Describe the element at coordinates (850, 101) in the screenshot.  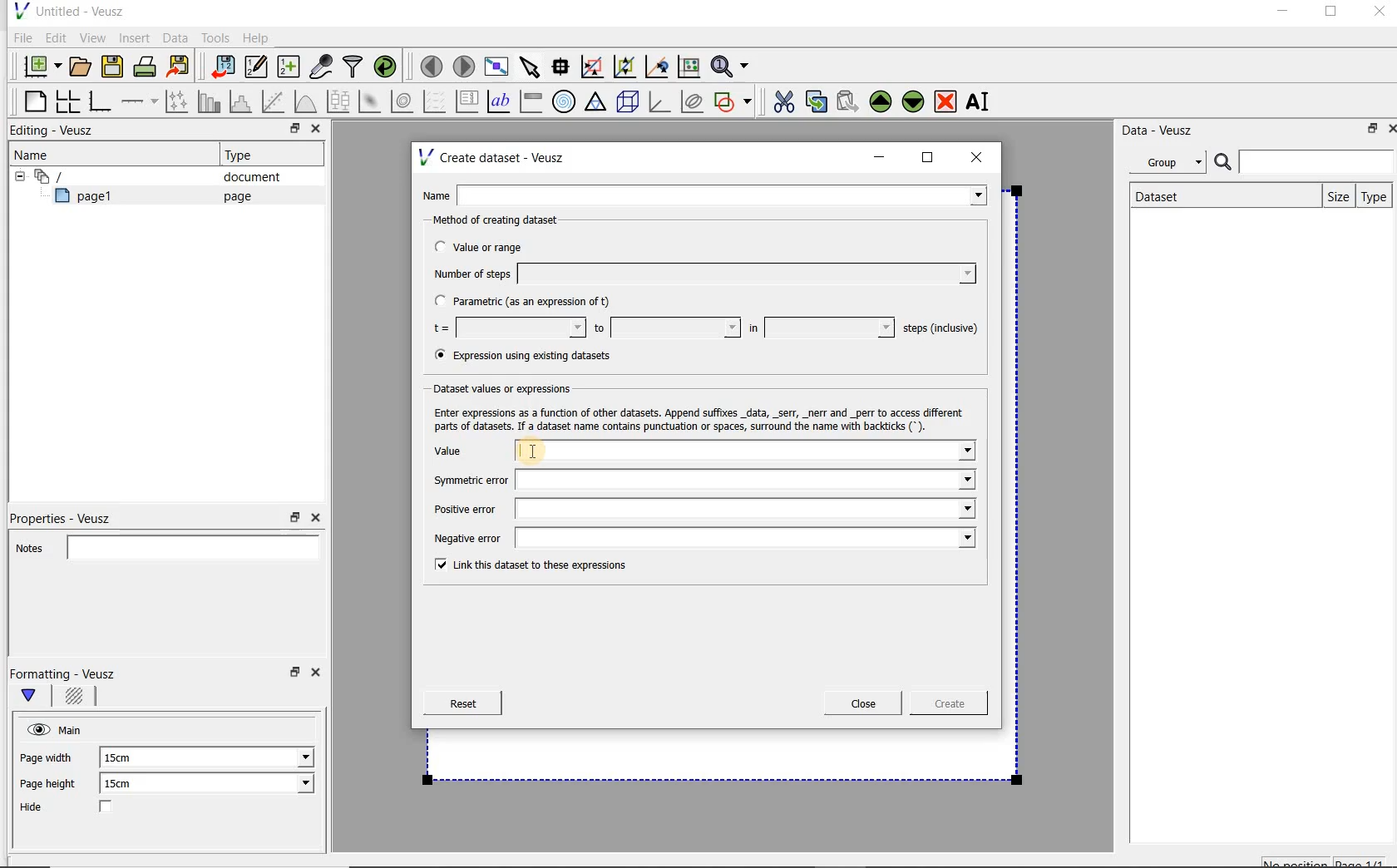
I see `Paste widget from the clipboard` at that location.